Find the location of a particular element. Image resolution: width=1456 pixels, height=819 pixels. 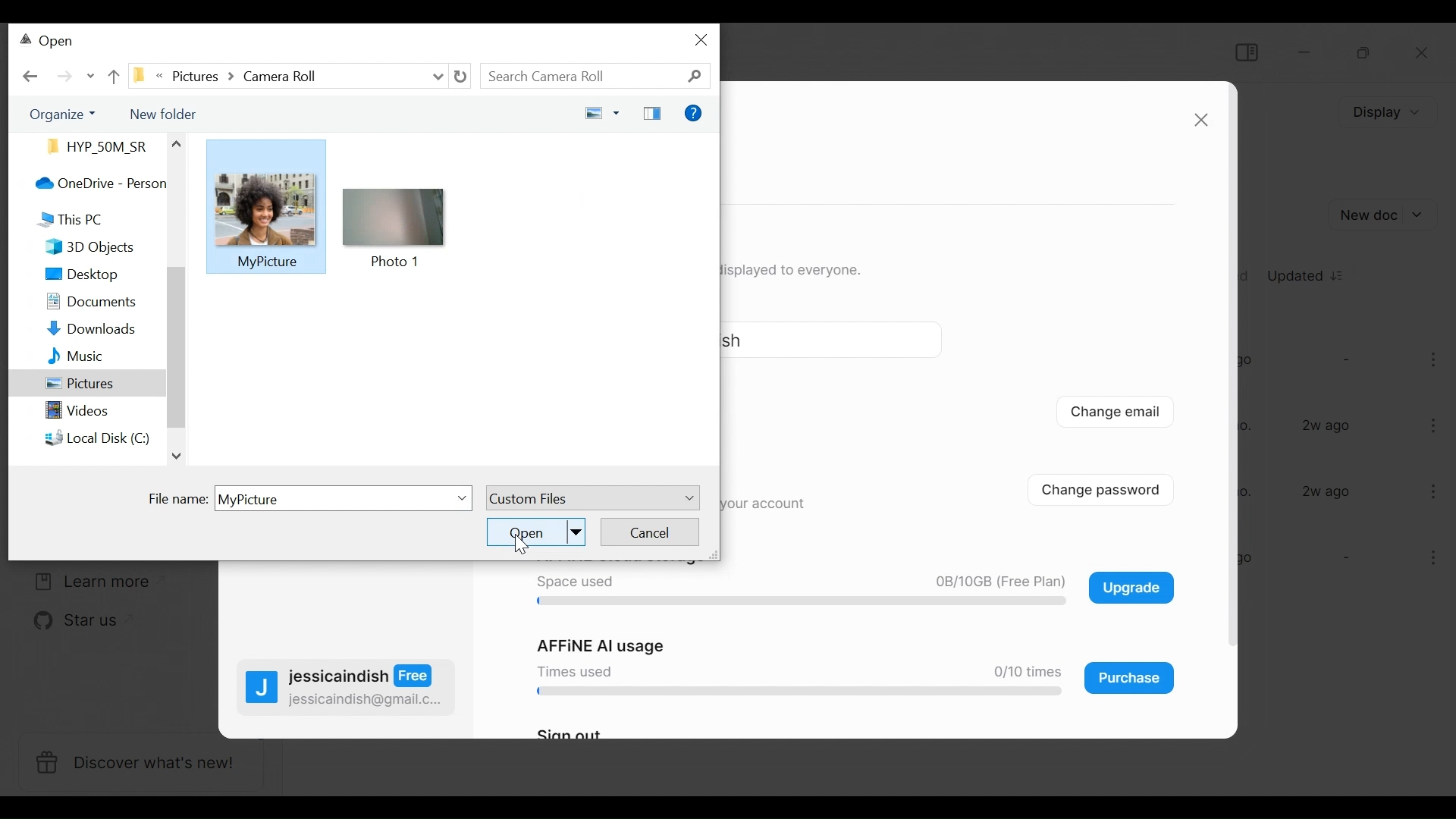

Display is located at coordinates (1384, 112).